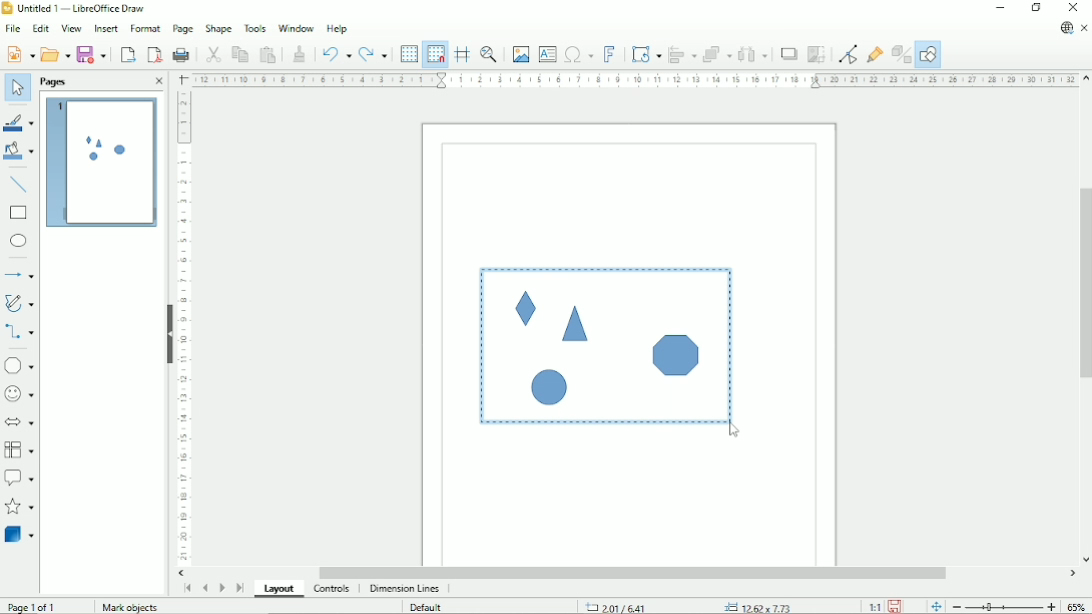  What do you see at coordinates (144, 29) in the screenshot?
I see `Format` at bounding box center [144, 29].